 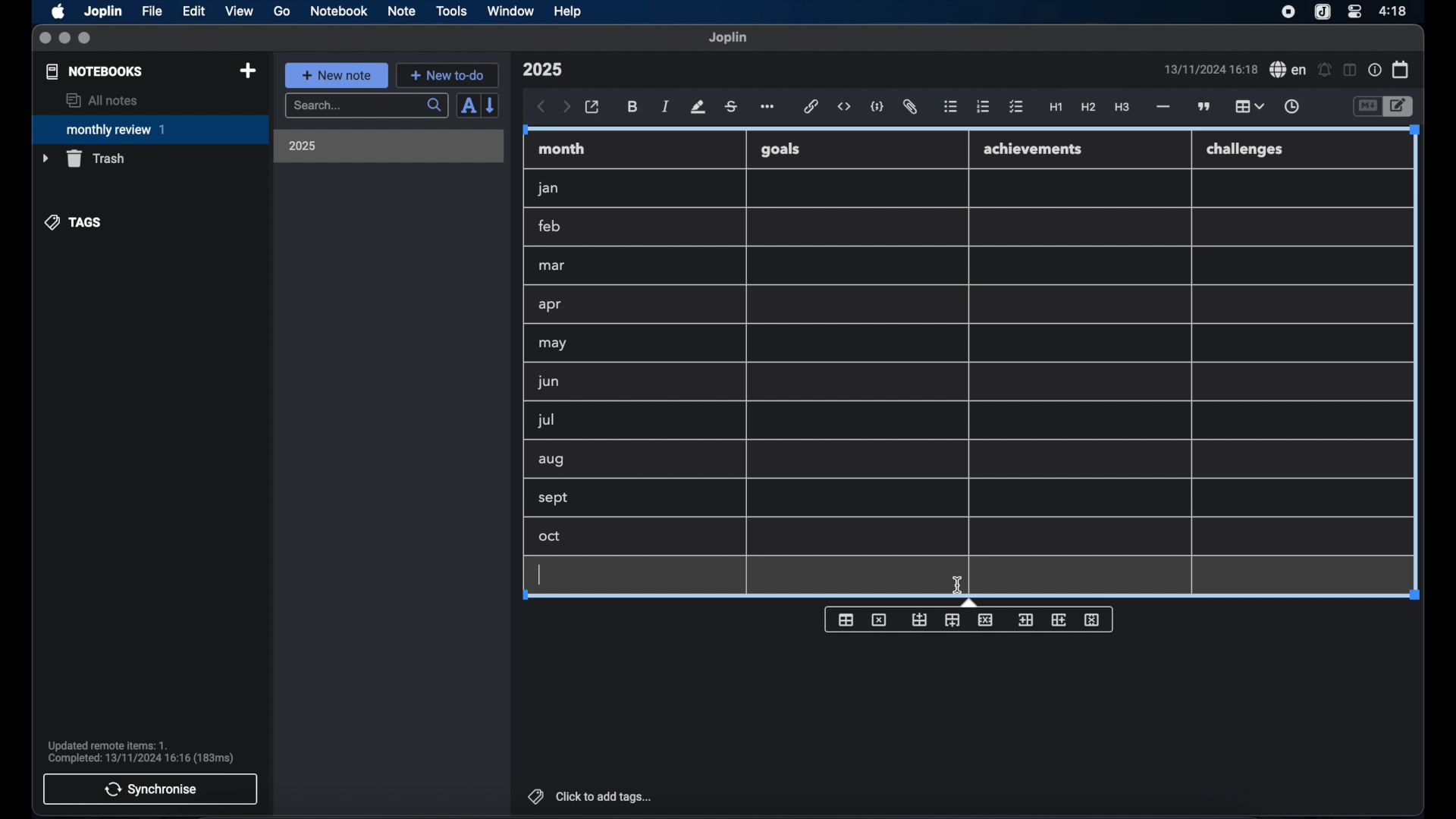 What do you see at coordinates (551, 226) in the screenshot?
I see `feb` at bounding box center [551, 226].